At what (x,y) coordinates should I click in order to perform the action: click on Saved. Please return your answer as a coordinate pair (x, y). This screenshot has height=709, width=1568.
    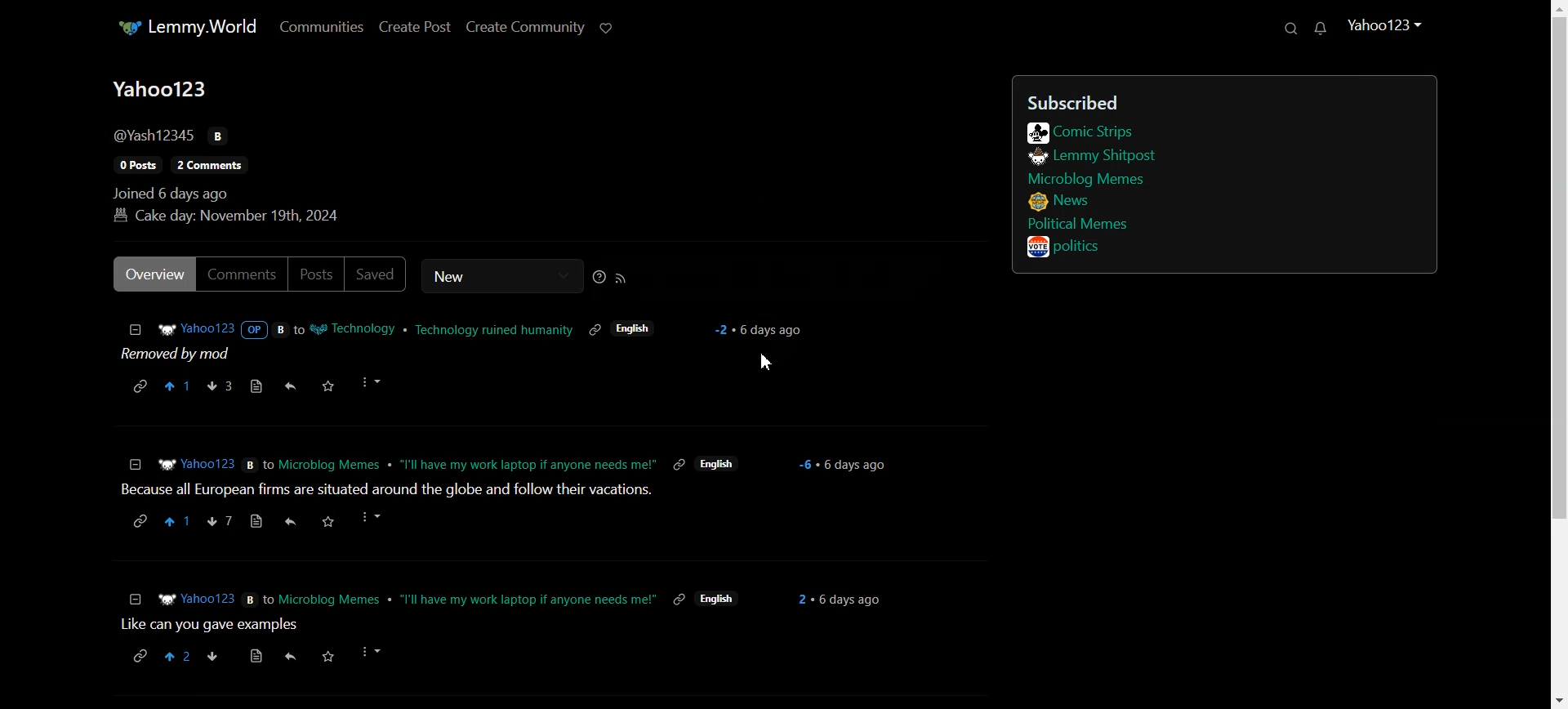
    Looking at the image, I should click on (377, 274).